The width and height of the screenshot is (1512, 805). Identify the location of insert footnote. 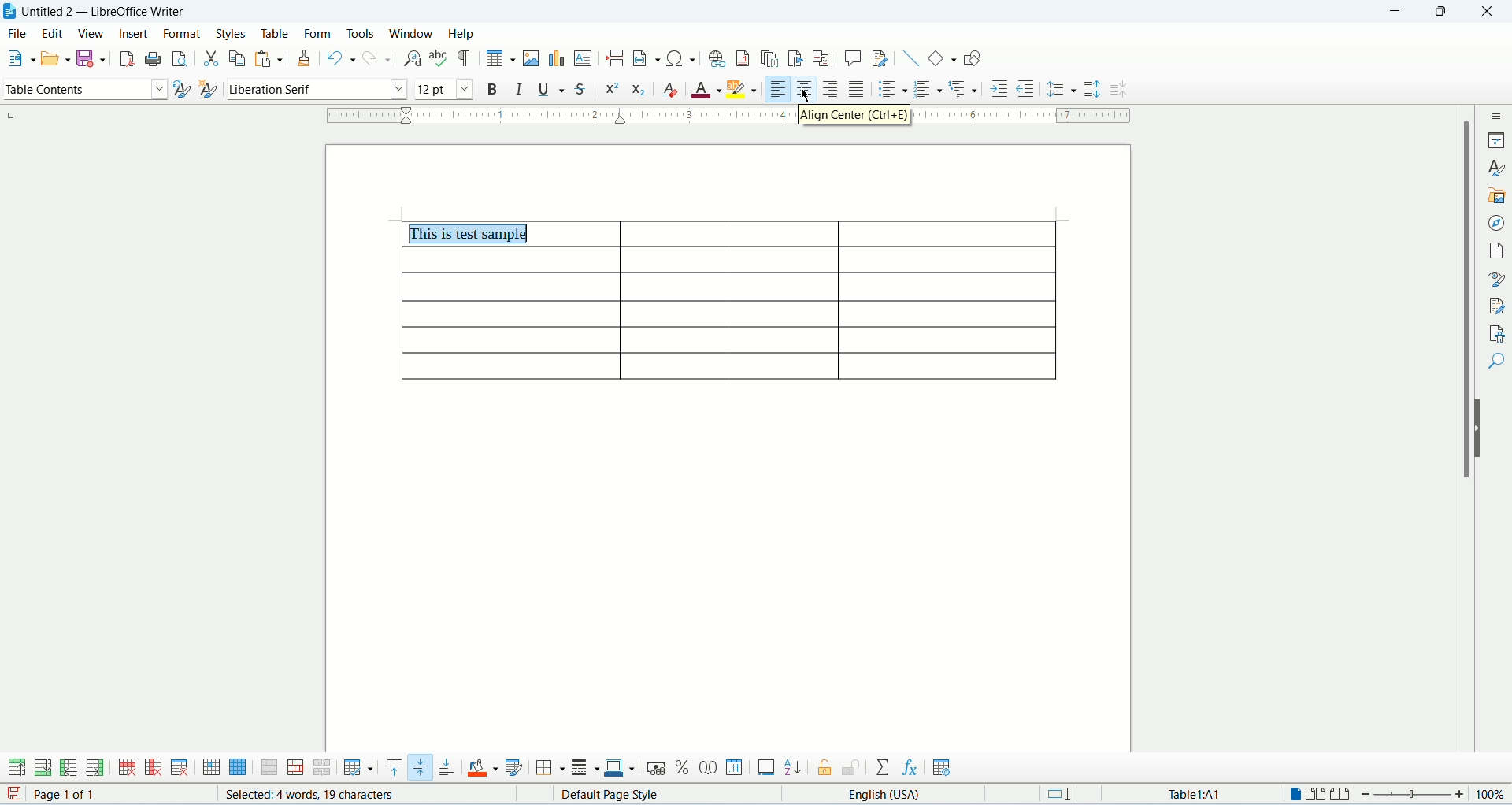
(743, 57).